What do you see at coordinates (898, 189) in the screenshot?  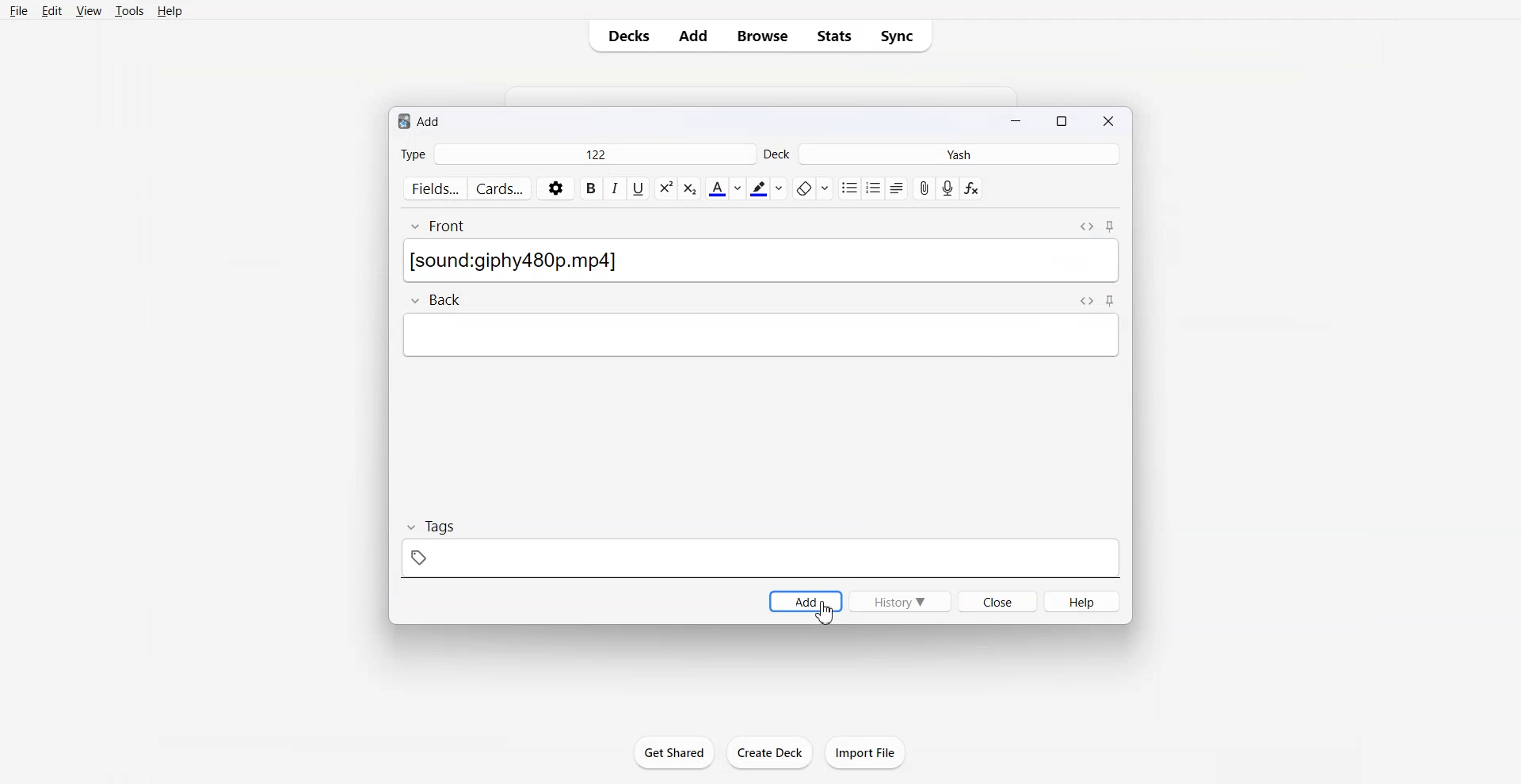 I see `Alignment` at bounding box center [898, 189].